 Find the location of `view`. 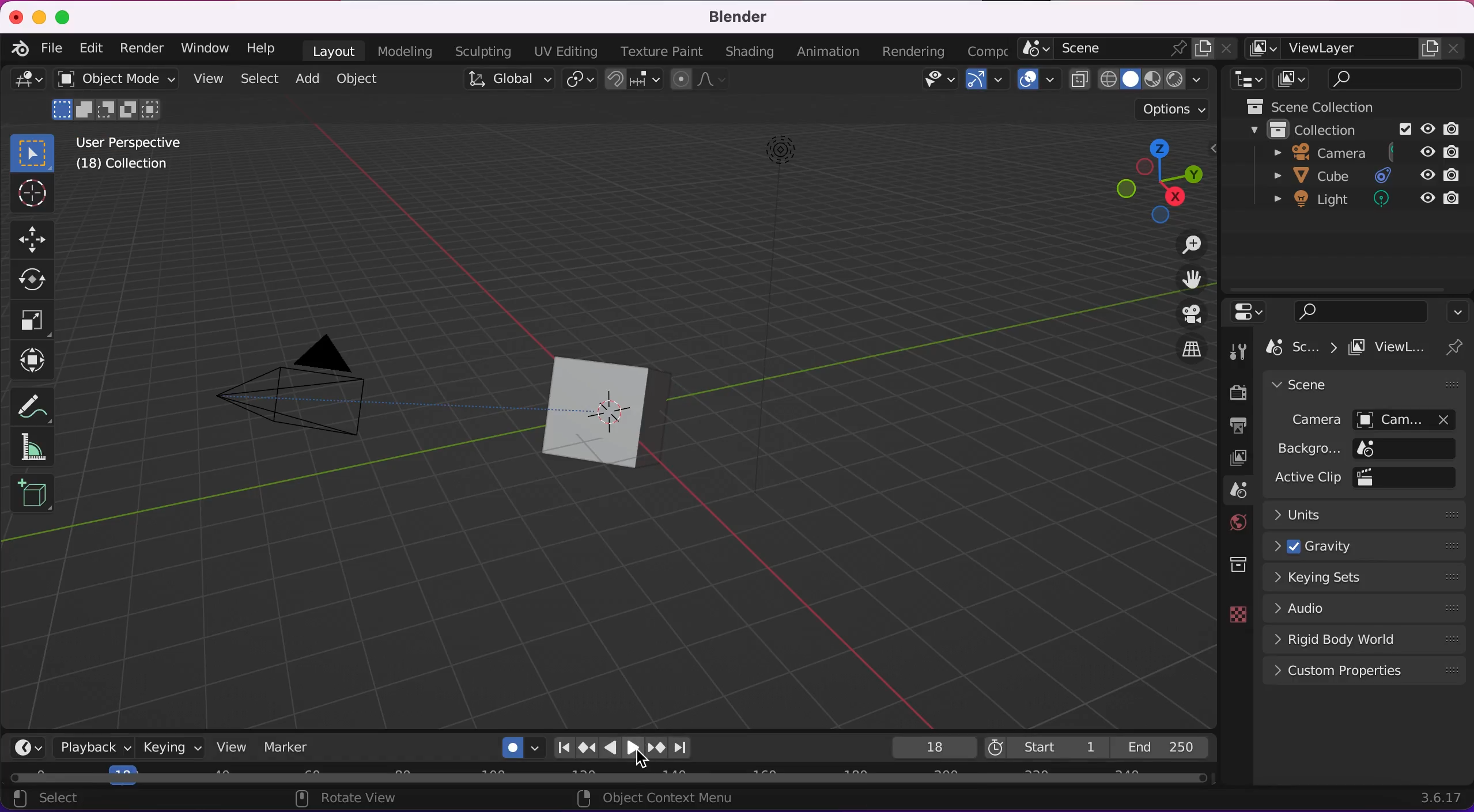

view is located at coordinates (226, 749).